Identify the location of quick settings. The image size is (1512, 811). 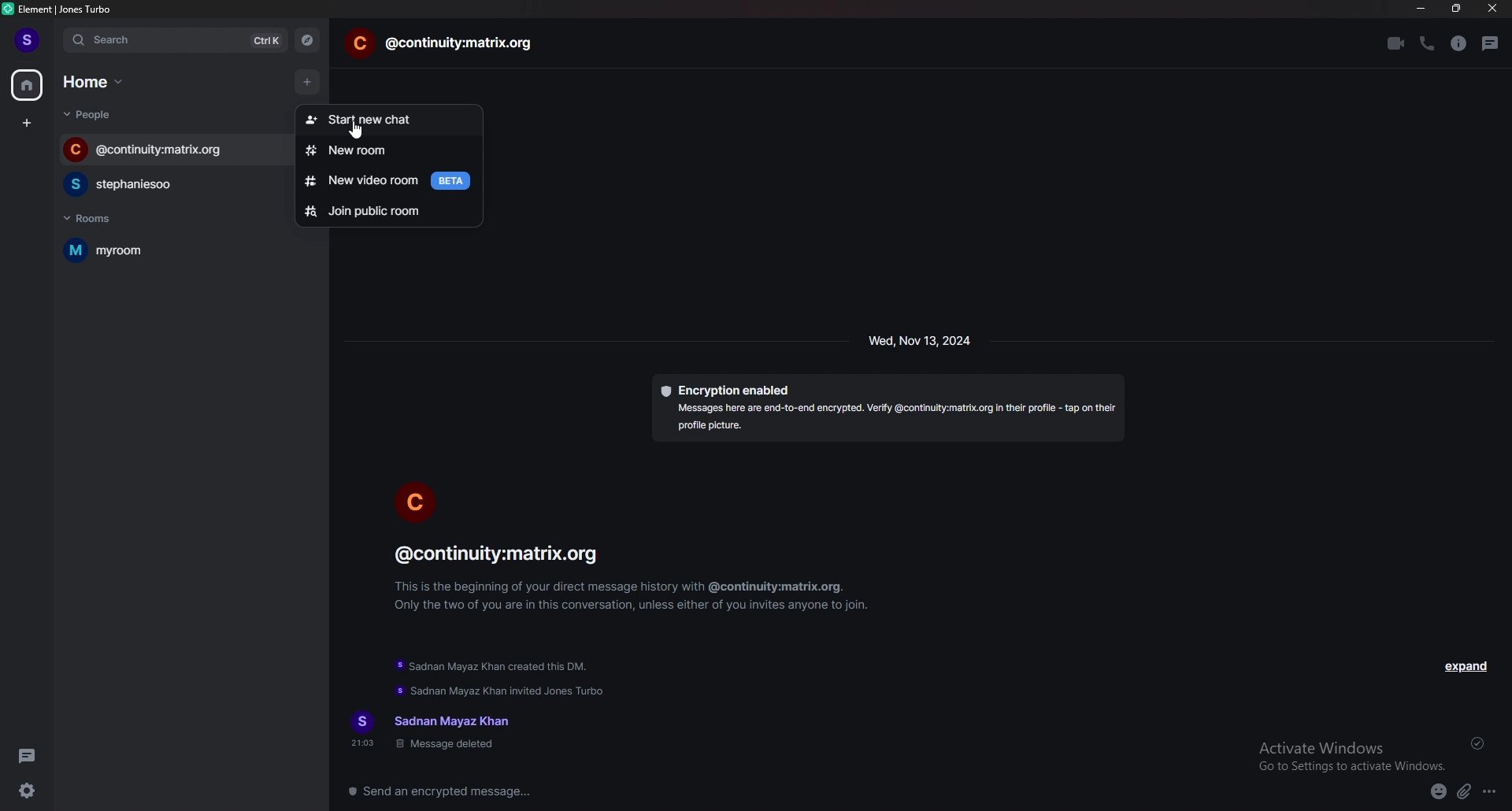
(28, 790).